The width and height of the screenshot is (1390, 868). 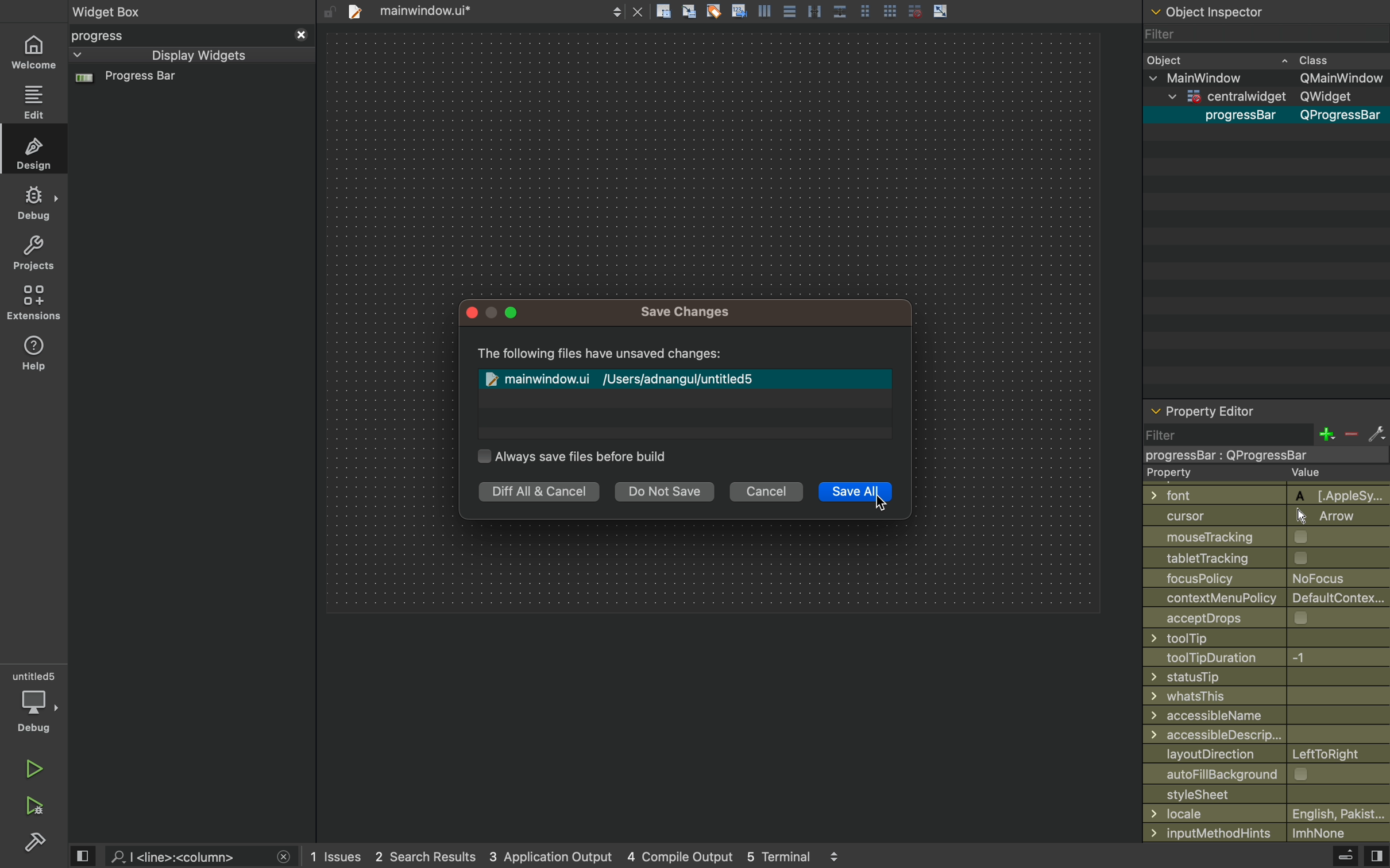 I want to click on autofillbackground, so click(x=1269, y=774).